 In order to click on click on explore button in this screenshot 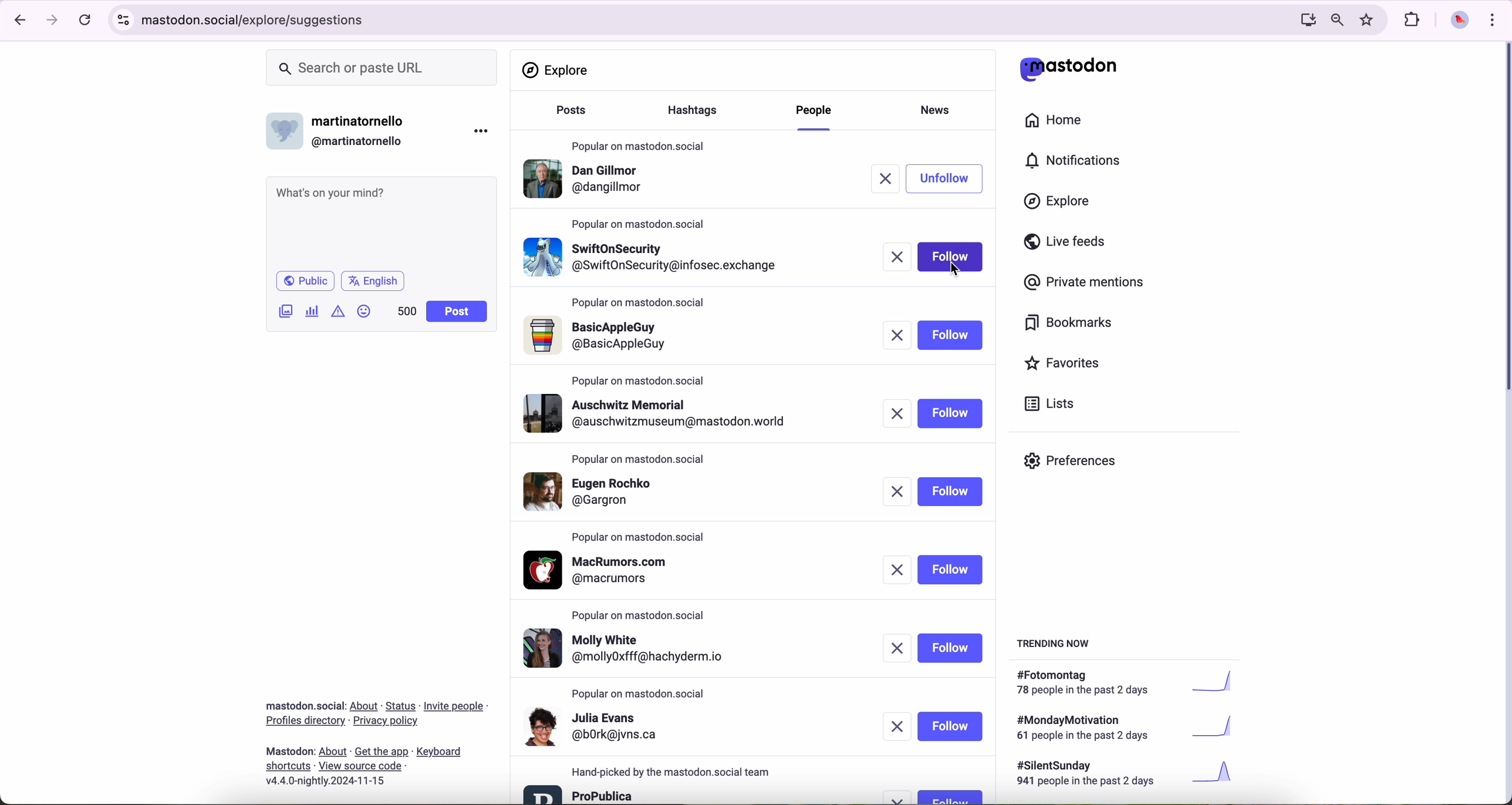, I will do `click(1060, 207)`.